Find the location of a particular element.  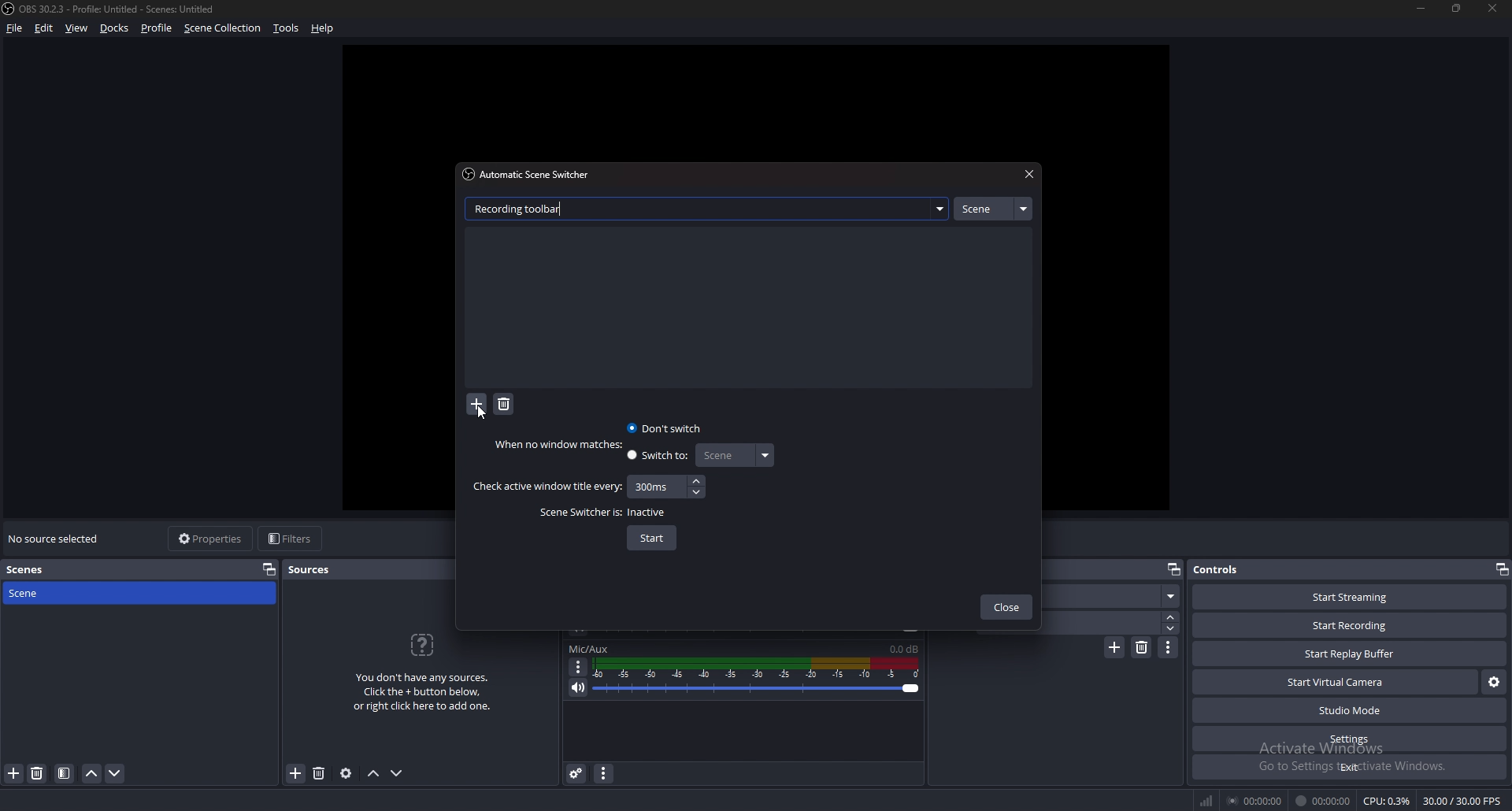

tools is located at coordinates (287, 28).